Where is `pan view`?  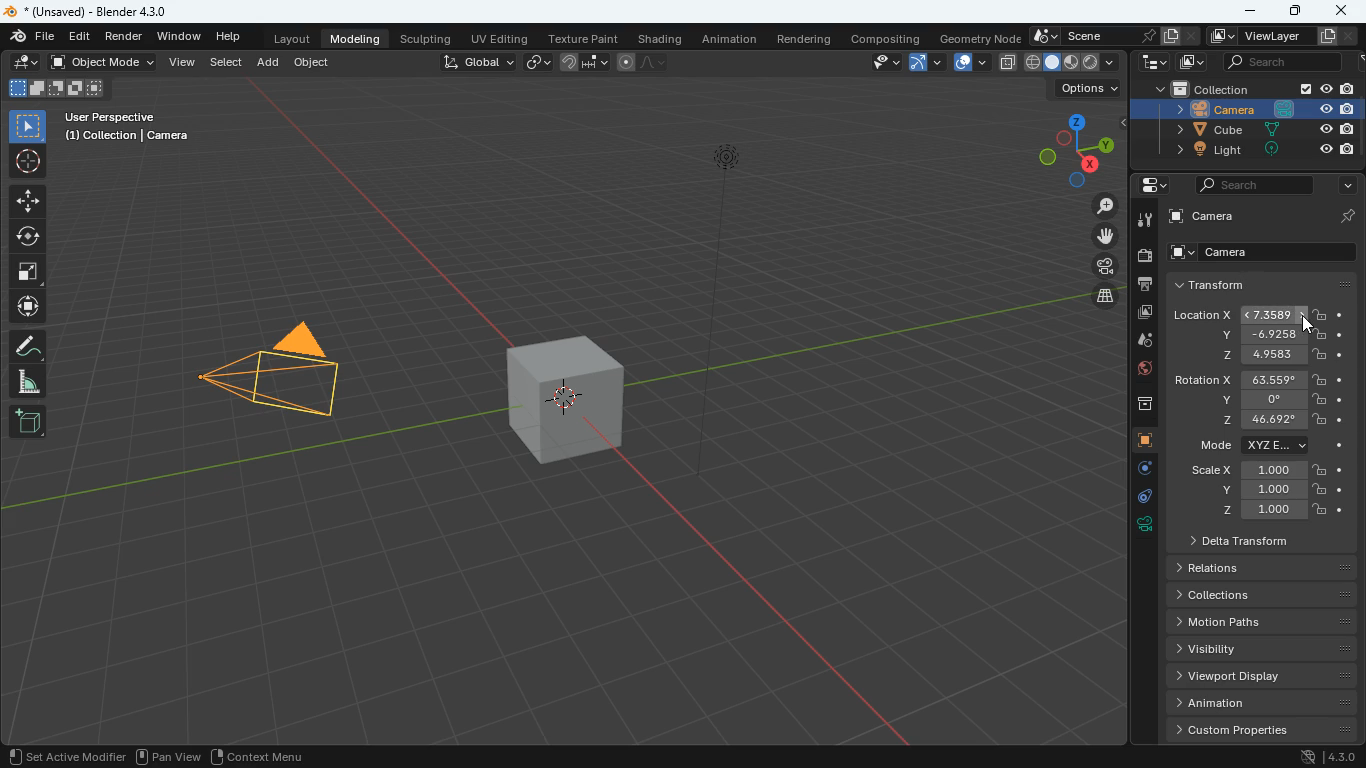
pan view is located at coordinates (171, 755).